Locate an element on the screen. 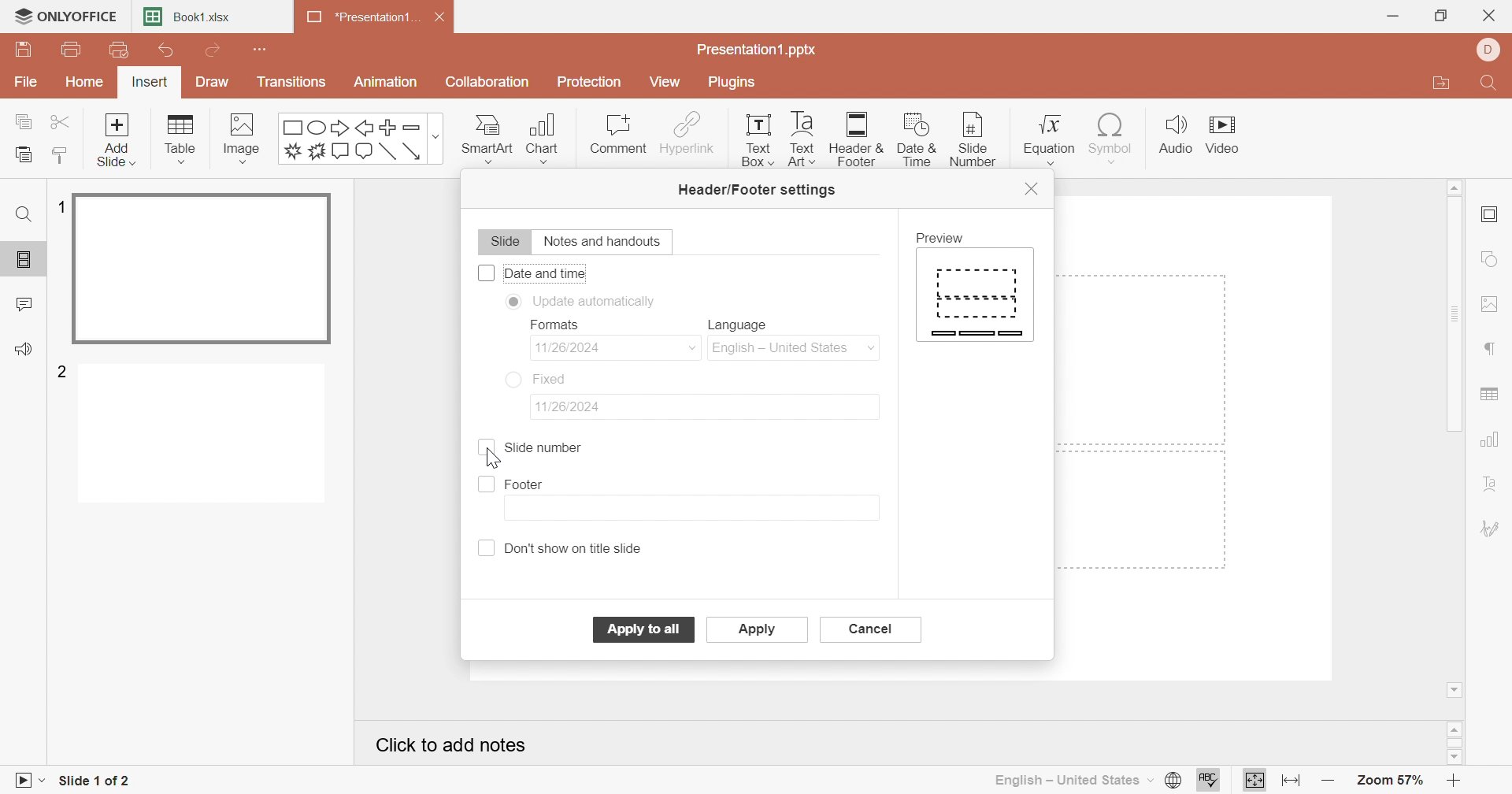  Book1.xlsx is located at coordinates (190, 18).